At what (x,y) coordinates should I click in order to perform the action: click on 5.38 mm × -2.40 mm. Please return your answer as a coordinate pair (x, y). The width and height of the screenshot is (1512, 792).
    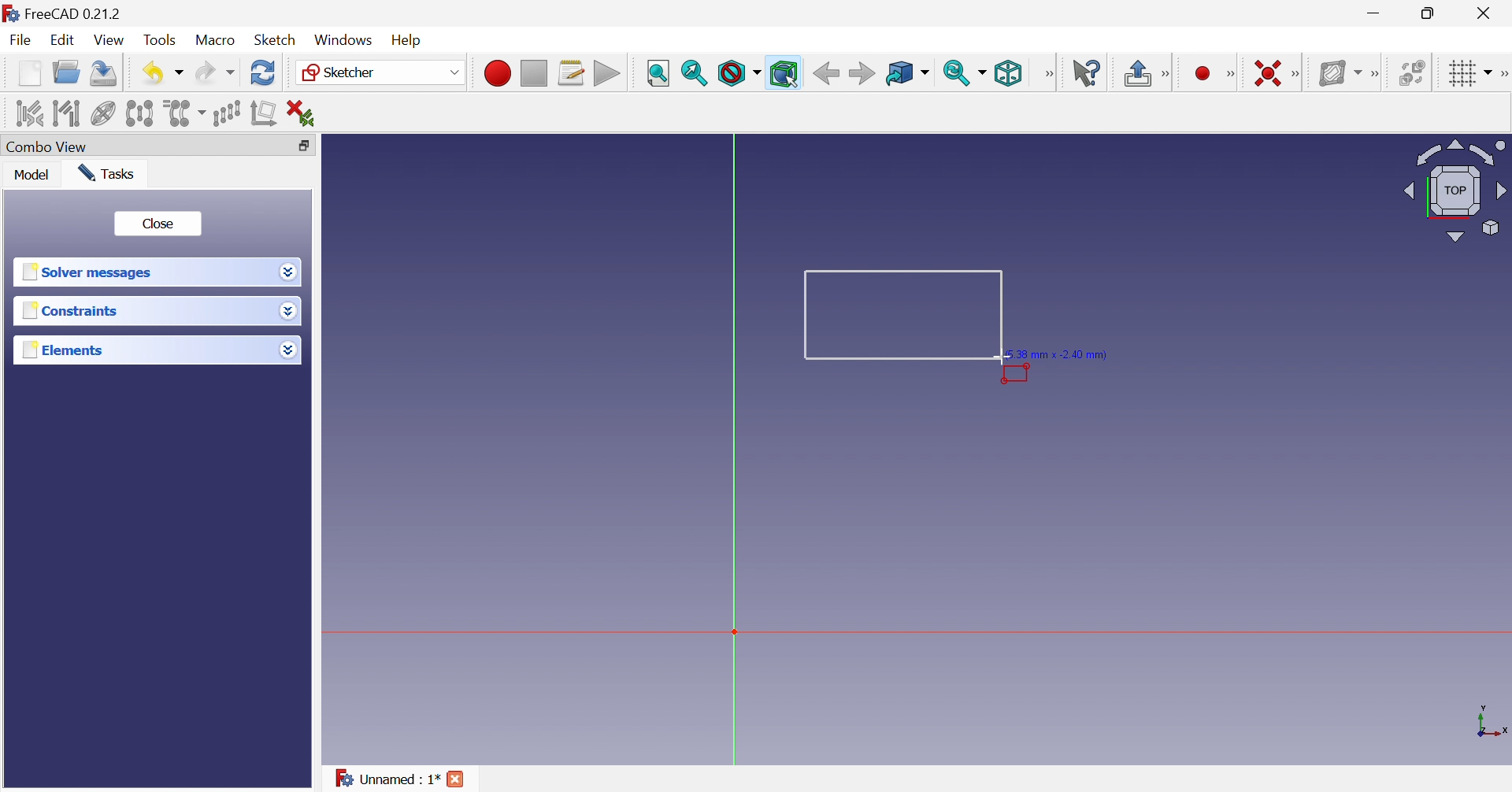
    Looking at the image, I should click on (1057, 356).